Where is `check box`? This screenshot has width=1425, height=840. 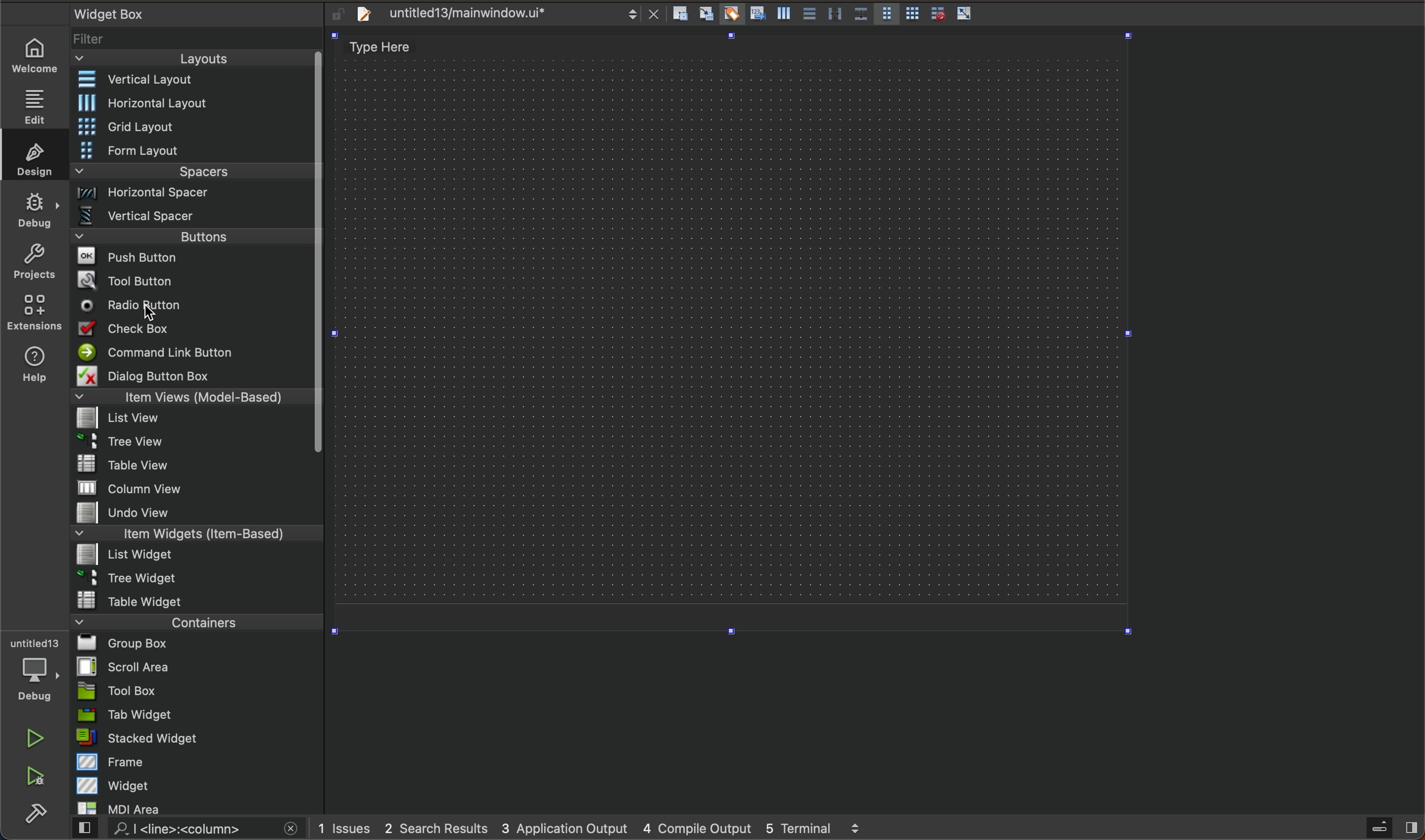
check box is located at coordinates (192, 331).